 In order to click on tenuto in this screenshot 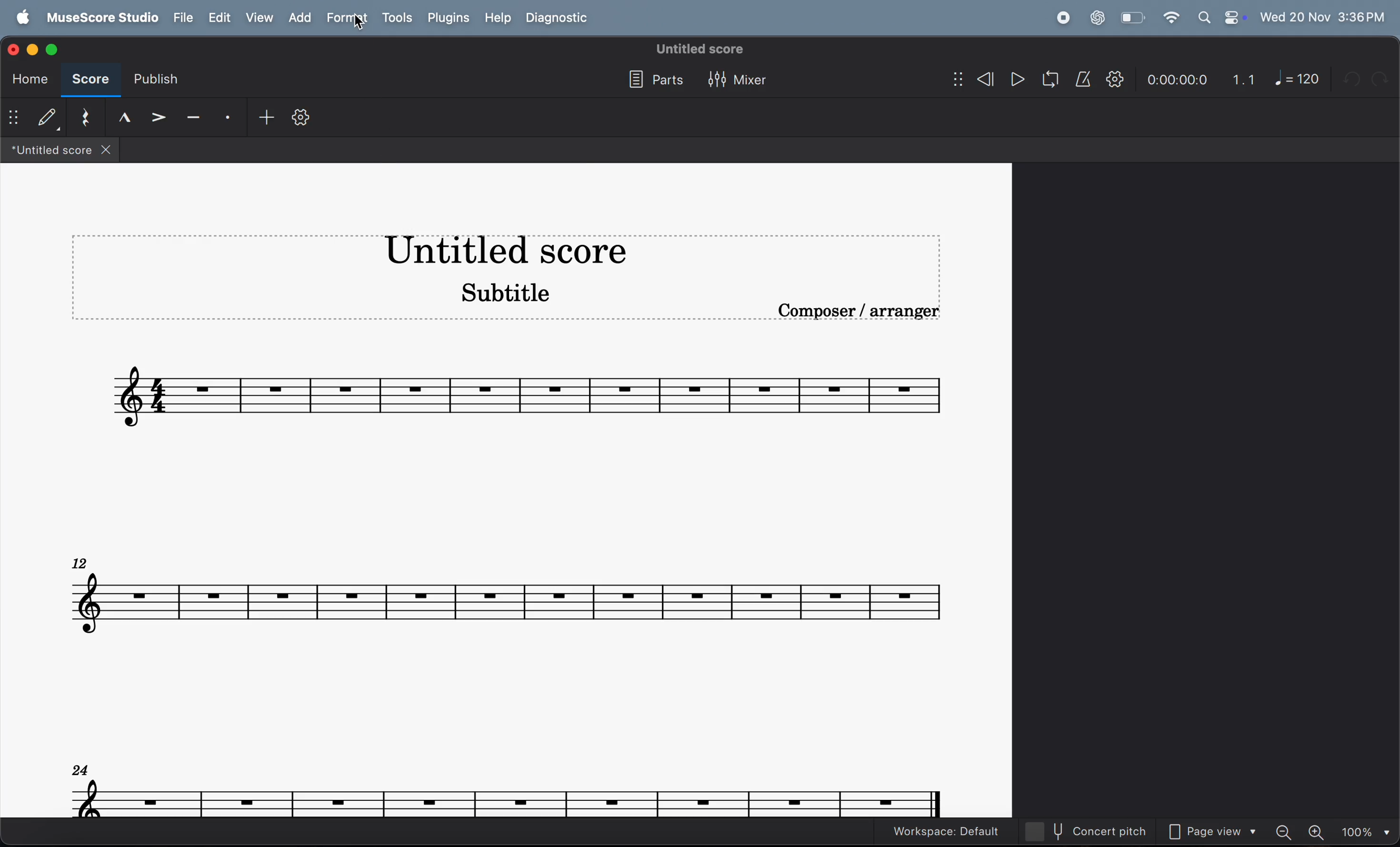, I will do `click(124, 117)`.